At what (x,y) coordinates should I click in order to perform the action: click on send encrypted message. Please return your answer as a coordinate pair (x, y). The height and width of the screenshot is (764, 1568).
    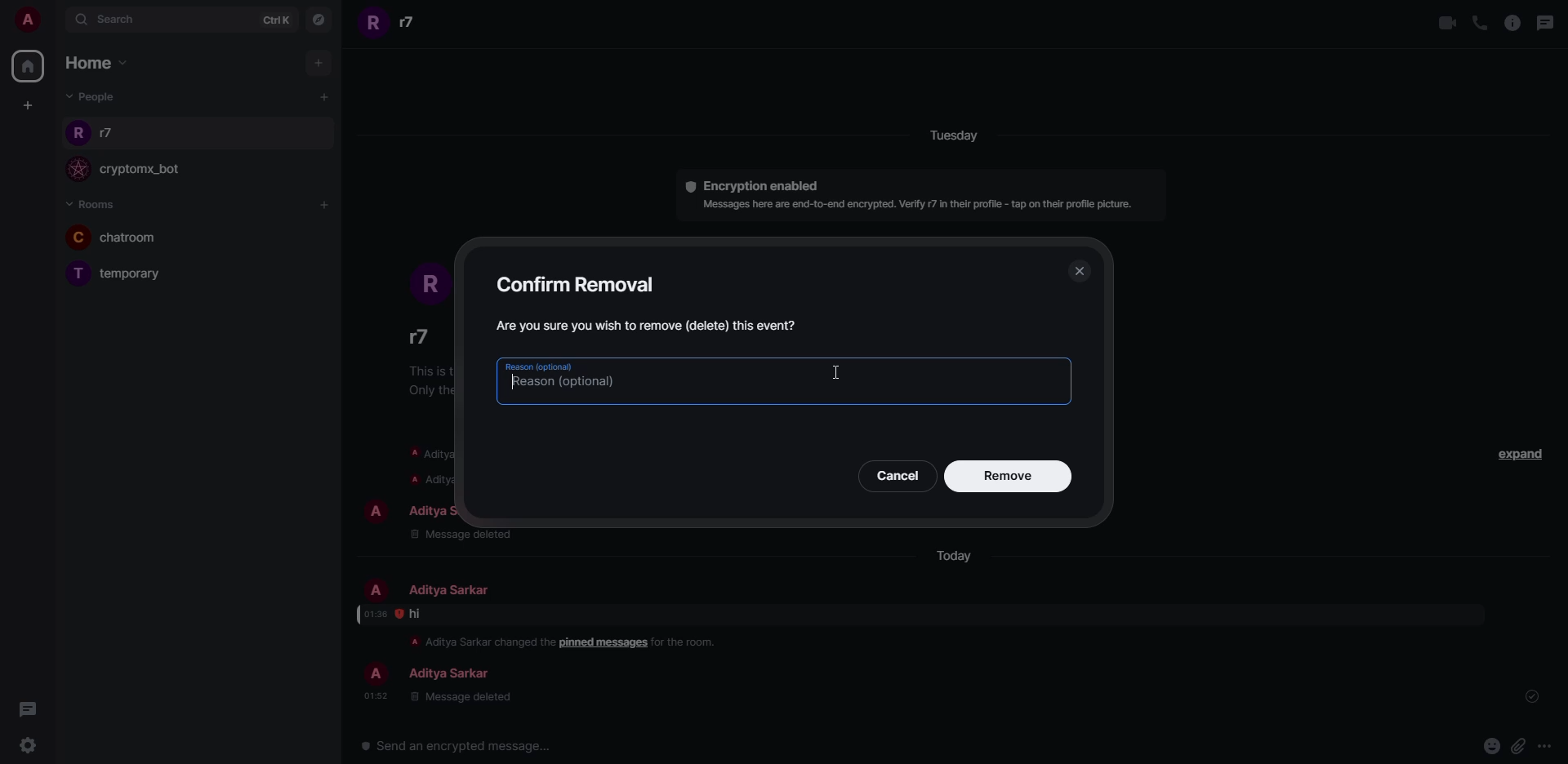
    Looking at the image, I should click on (456, 747).